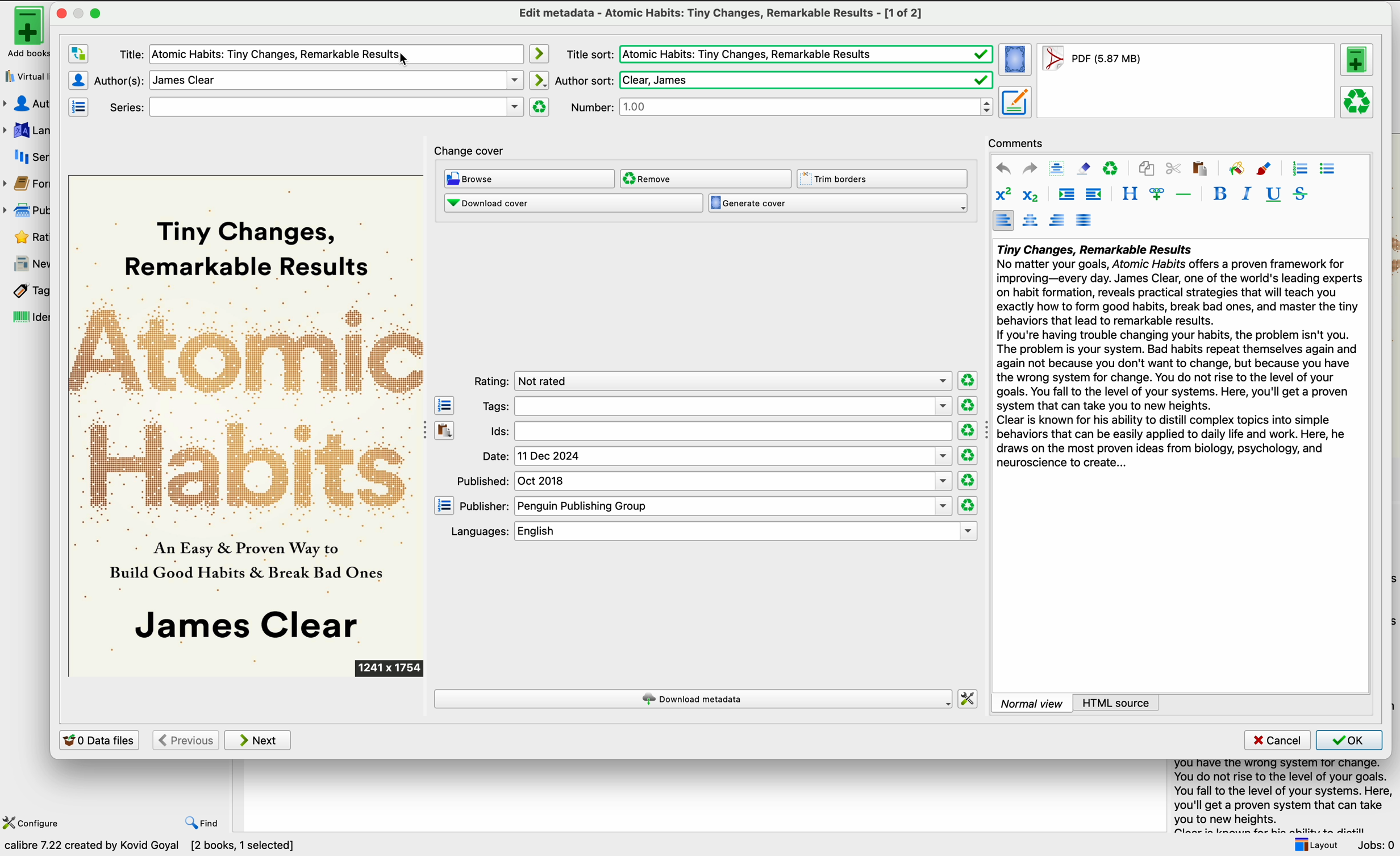 This screenshot has width=1400, height=856. Describe the element at coordinates (315, 53) in the screenshot. I see `title` at that location.